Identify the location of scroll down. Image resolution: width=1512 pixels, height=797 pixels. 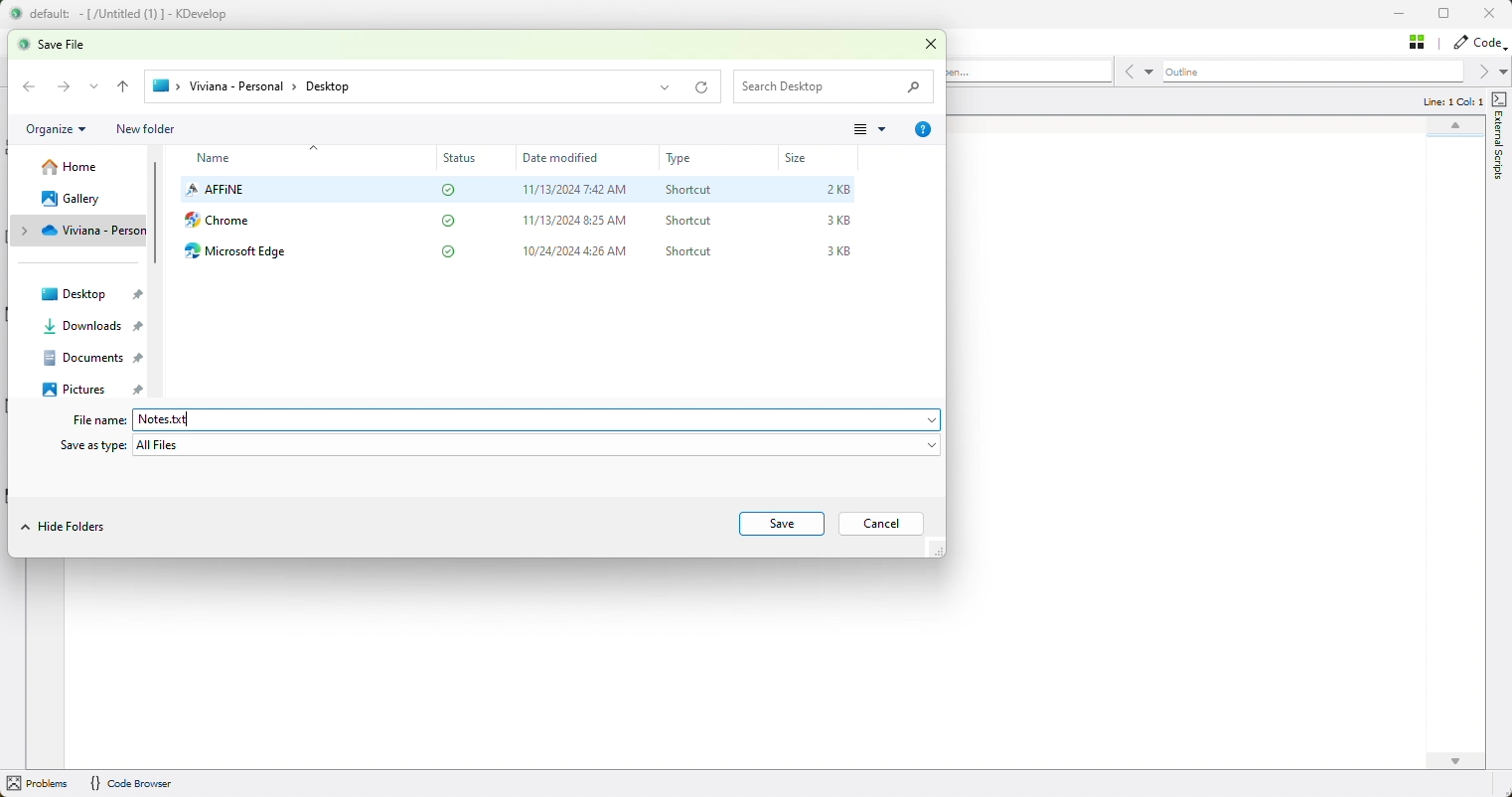
(1455, 761).